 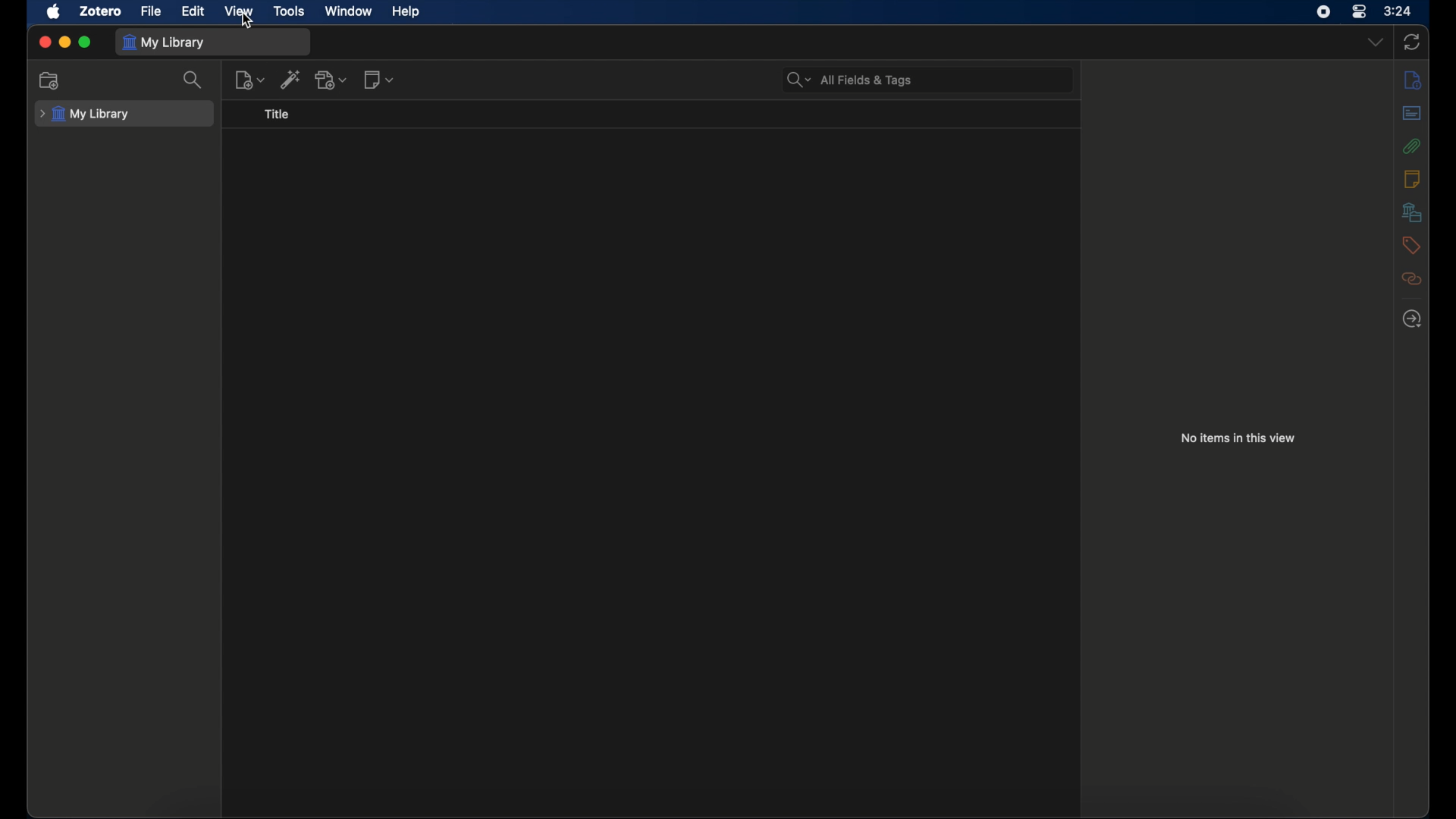 What do you see at coordinates (1398, 10) in the screenshot?
I see `time (3:24)` at bounding box center [1398, 10].